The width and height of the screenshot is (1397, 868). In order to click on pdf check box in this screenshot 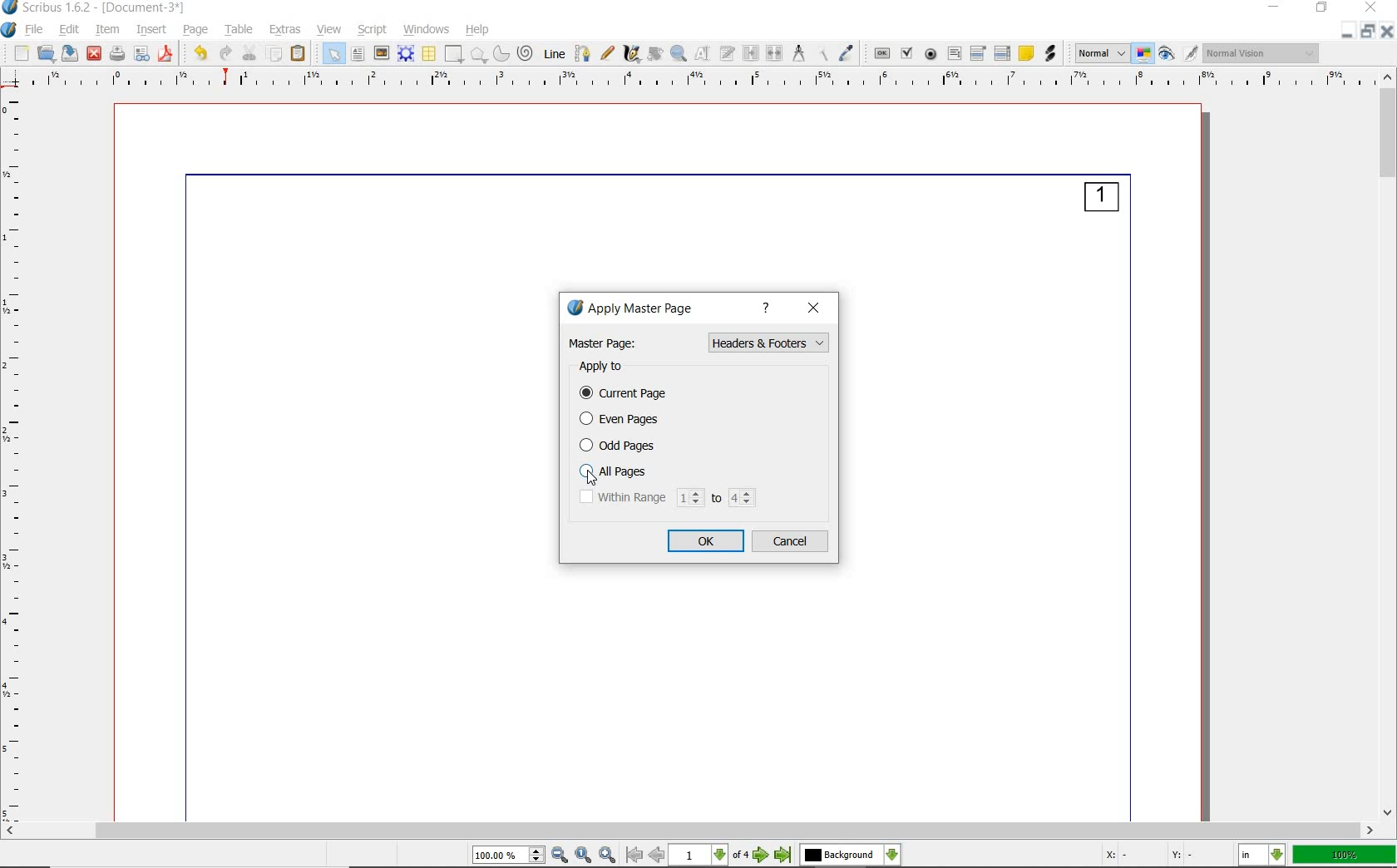, I will do `click(908, 53)`.